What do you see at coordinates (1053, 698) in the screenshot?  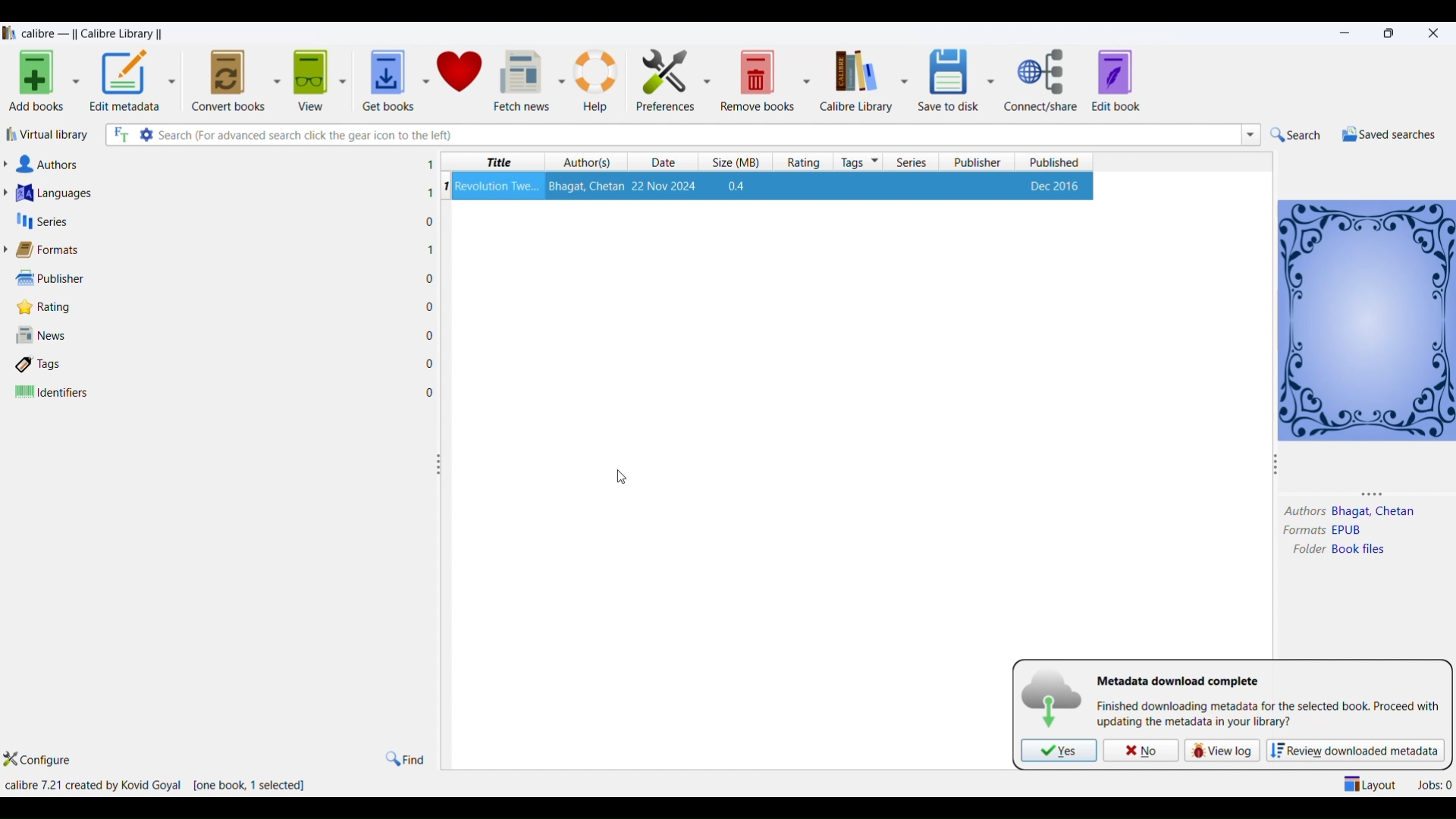 I see `download logo` at bounding box center [1053, 698].